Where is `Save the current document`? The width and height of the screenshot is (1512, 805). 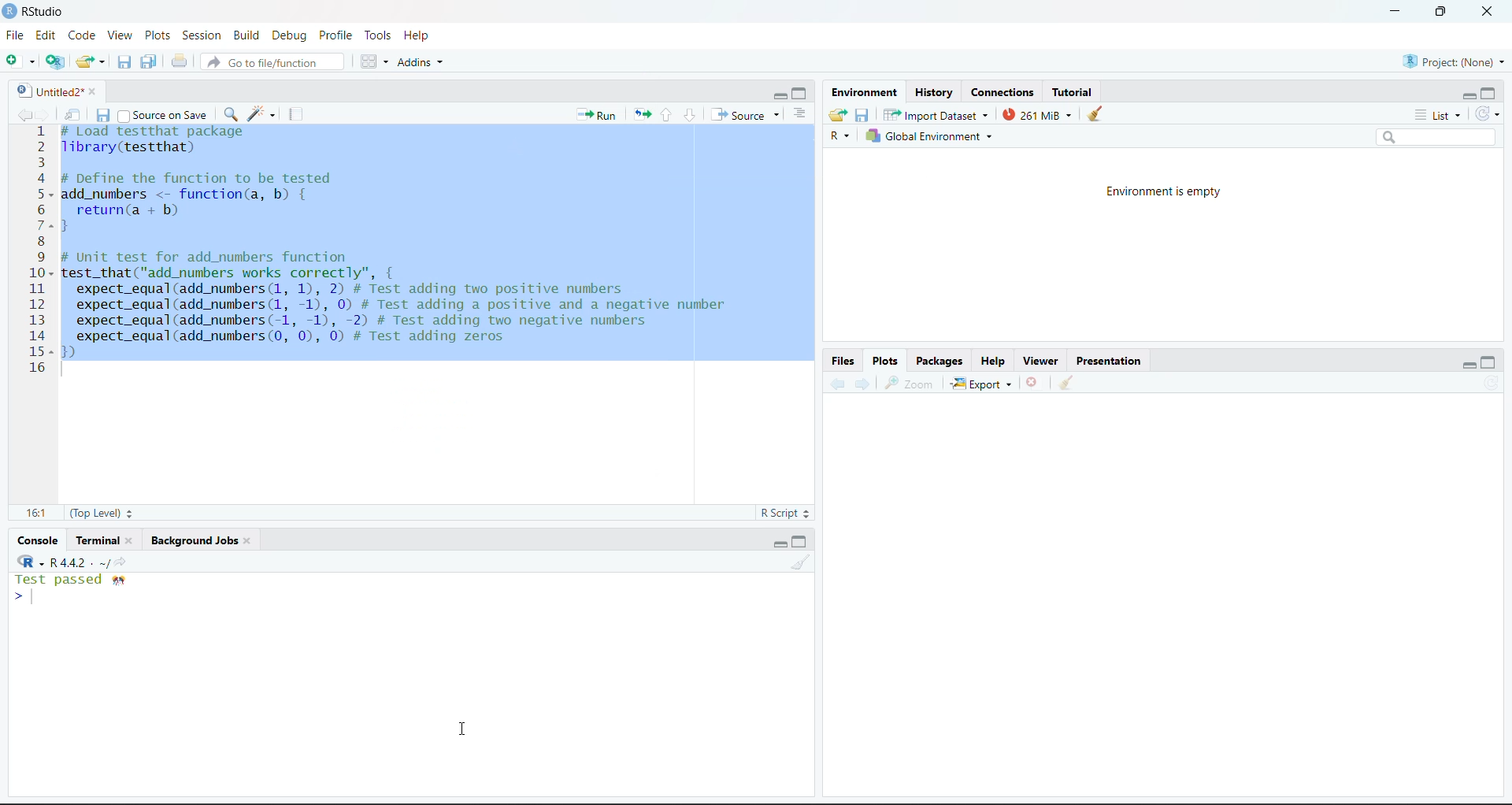 Save the current document is located at coordinates (124, 61).